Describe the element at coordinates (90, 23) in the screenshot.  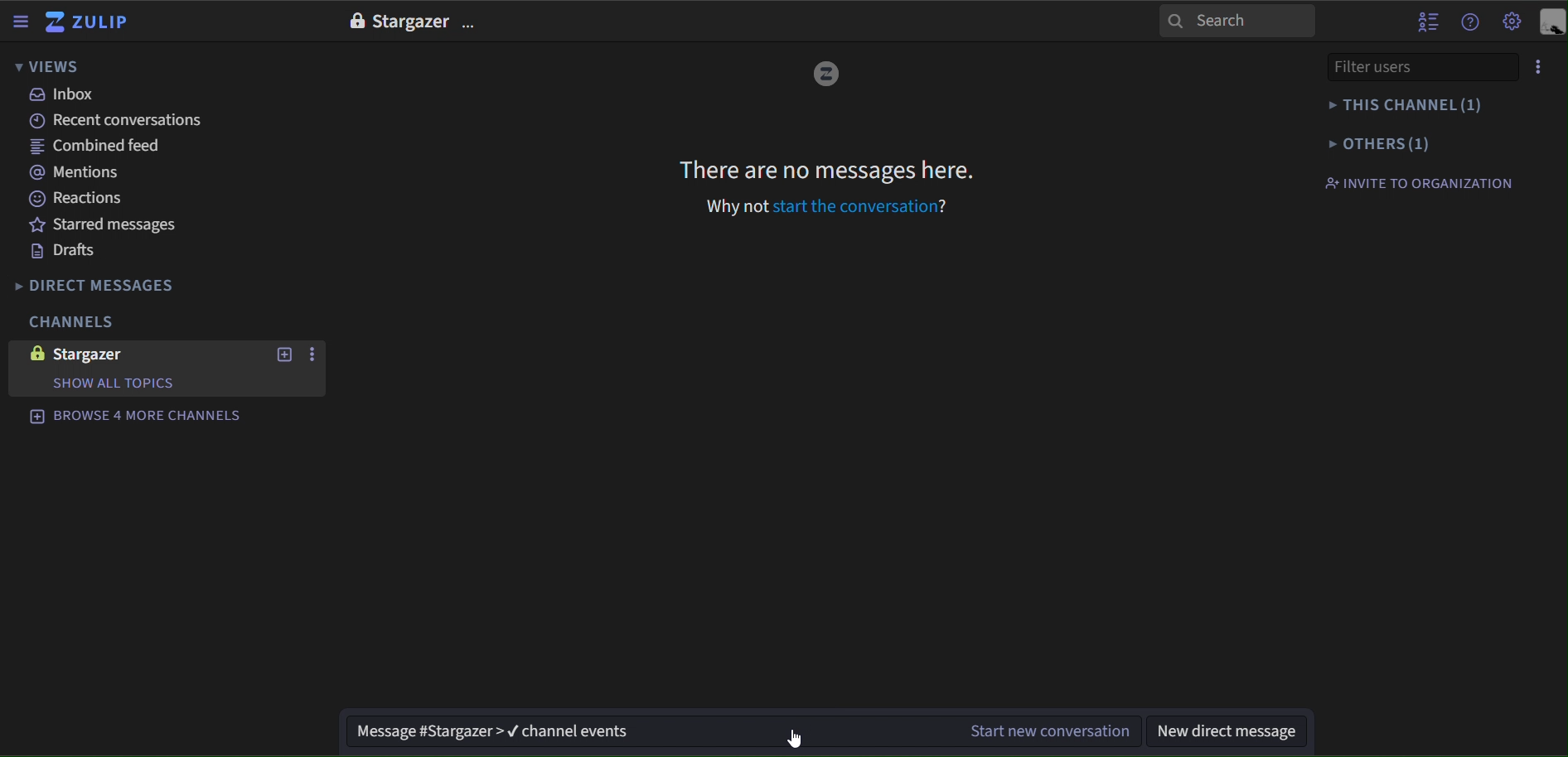
I see `zulip` at that location.